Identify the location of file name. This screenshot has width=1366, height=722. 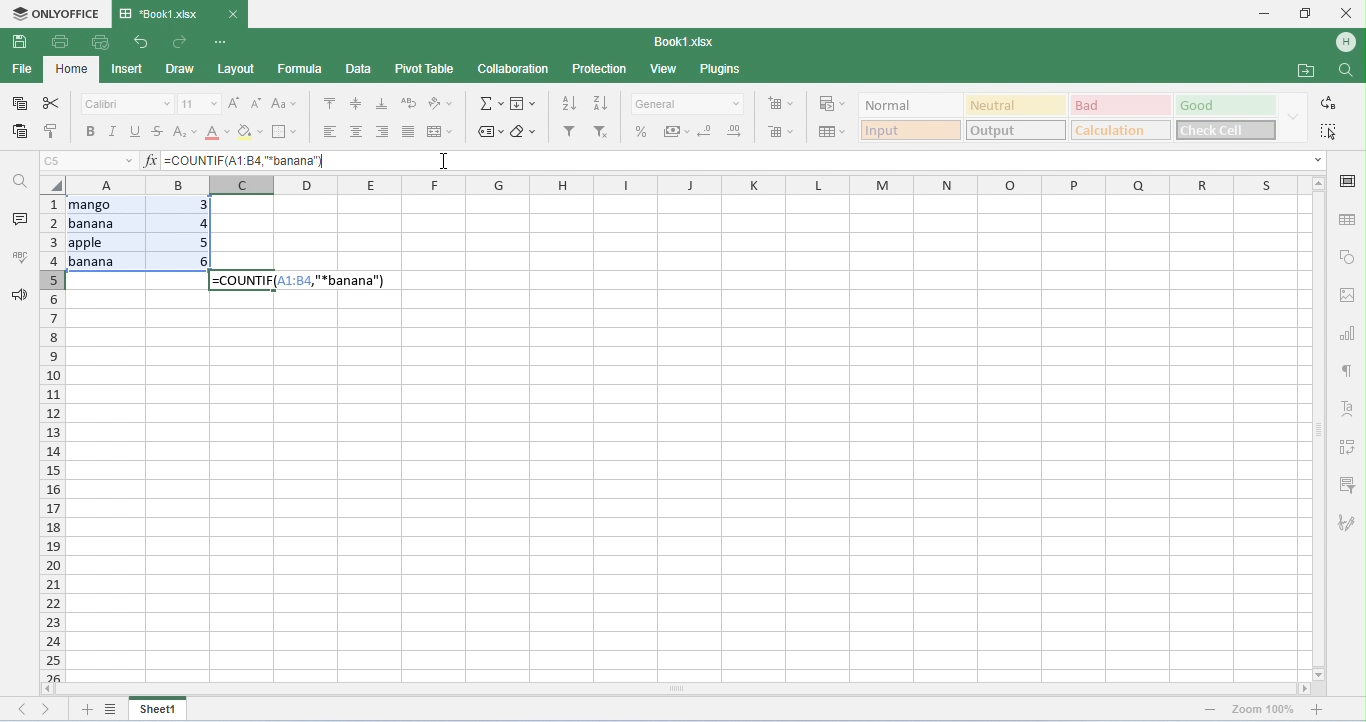
(686, 42).